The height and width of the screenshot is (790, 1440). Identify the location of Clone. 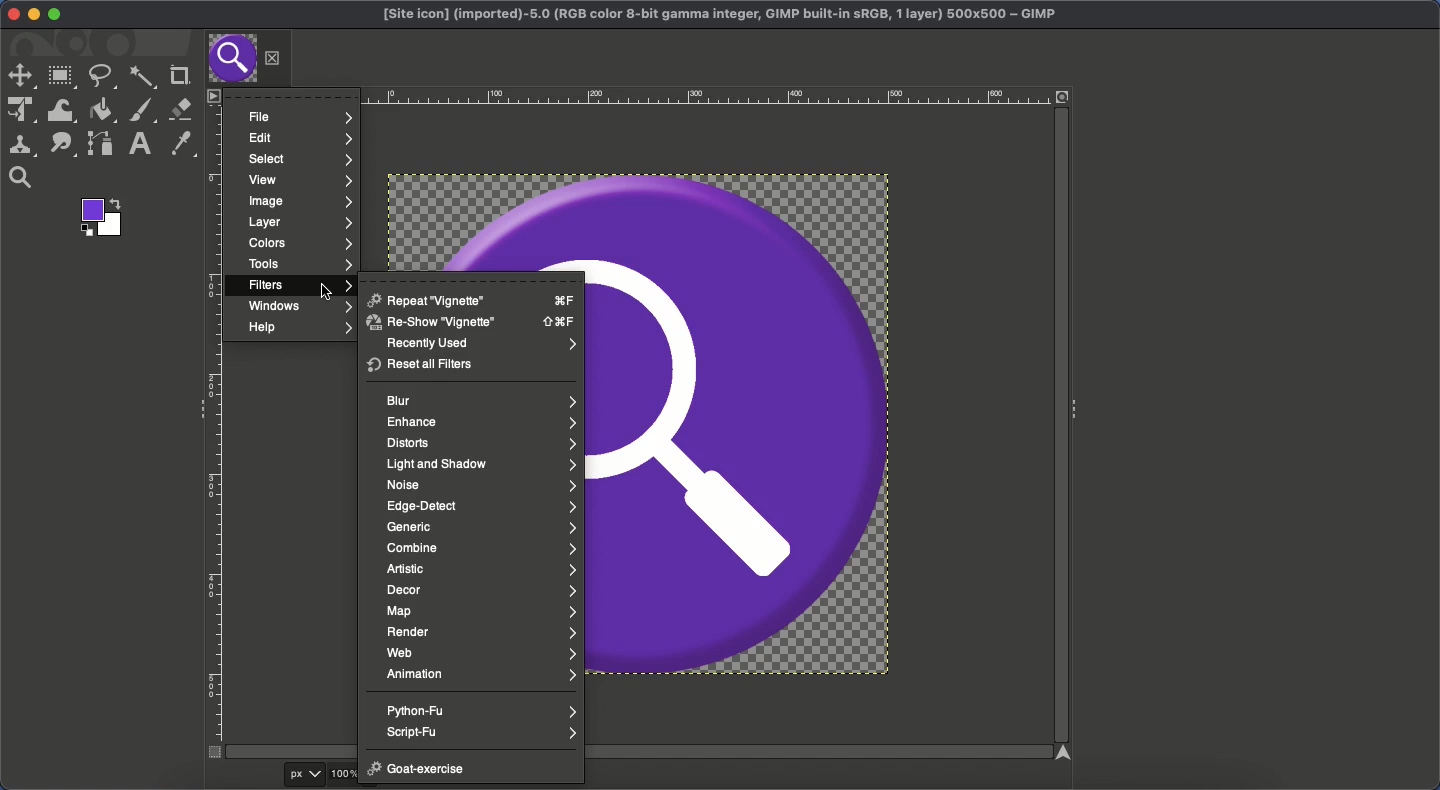
(21, 145).